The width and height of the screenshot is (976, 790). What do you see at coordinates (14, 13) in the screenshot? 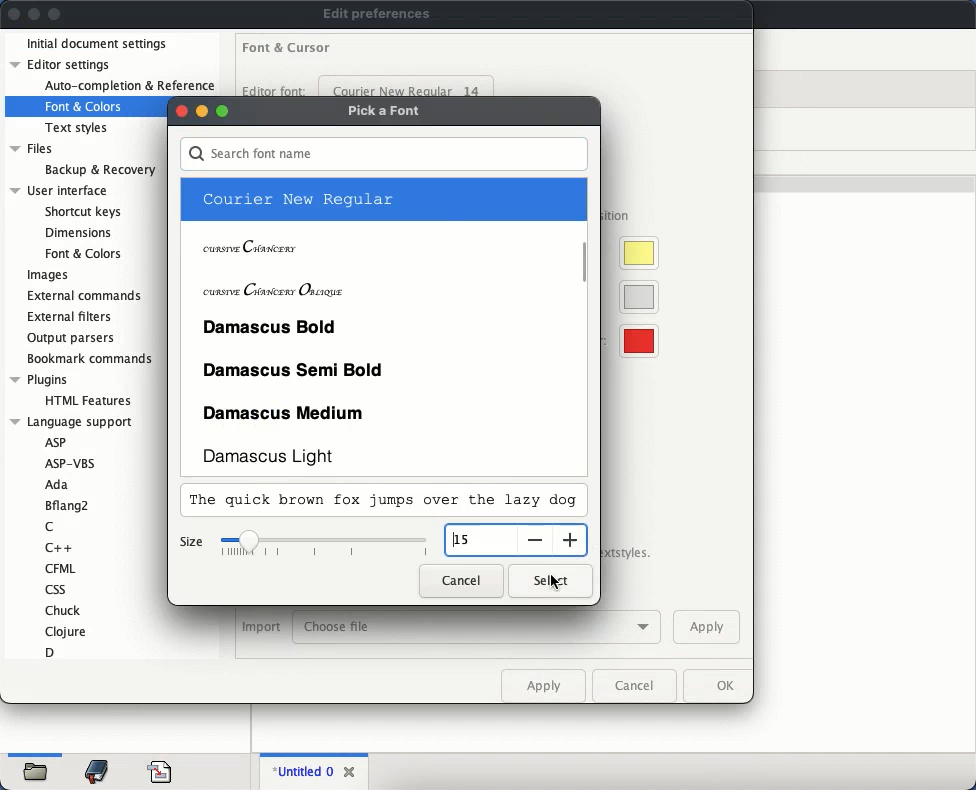
I see `close` at bounding box center [14, 13].